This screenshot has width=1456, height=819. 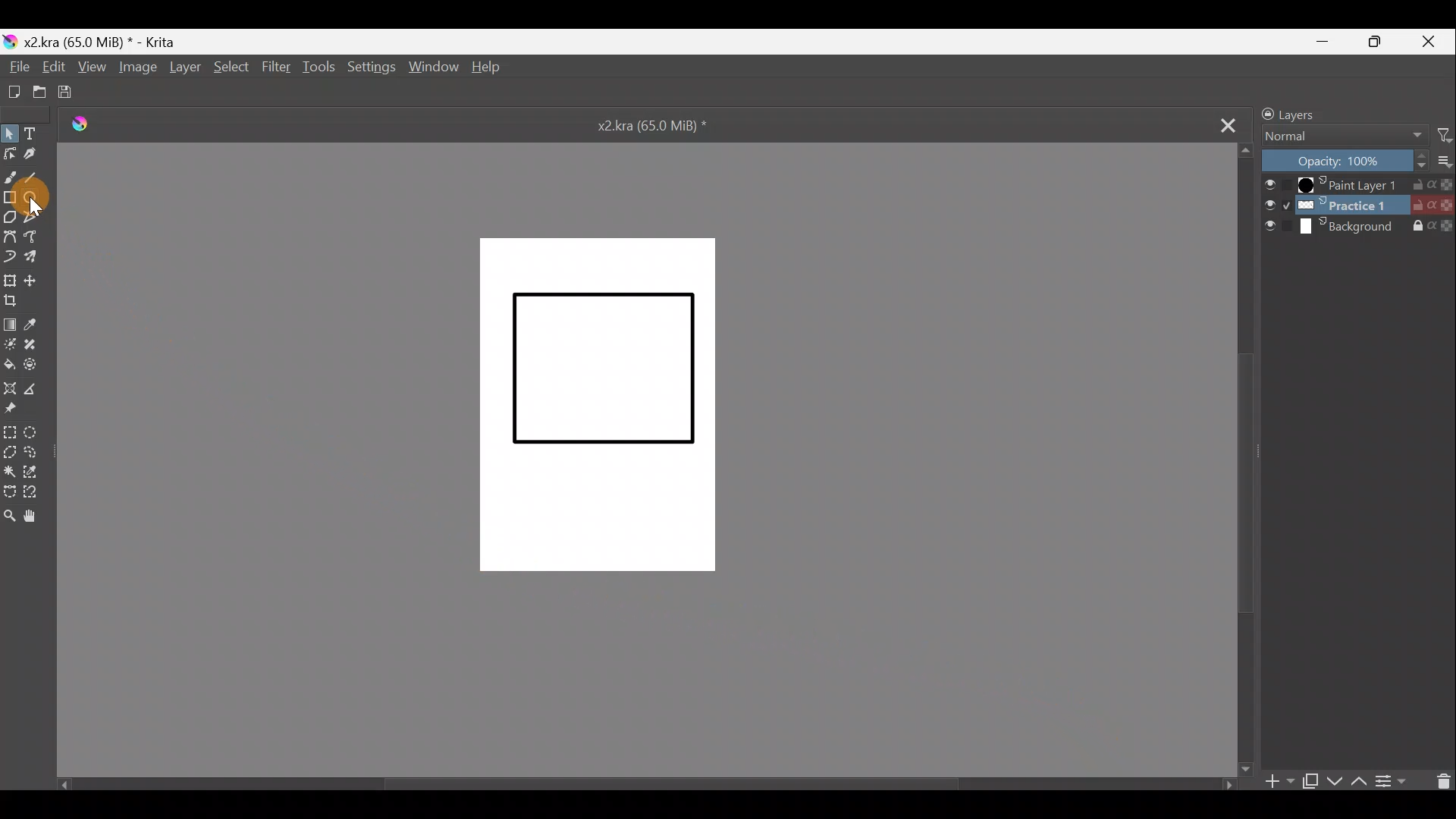 I want to click on Bezier curve tool, so click(x=11, y=237).